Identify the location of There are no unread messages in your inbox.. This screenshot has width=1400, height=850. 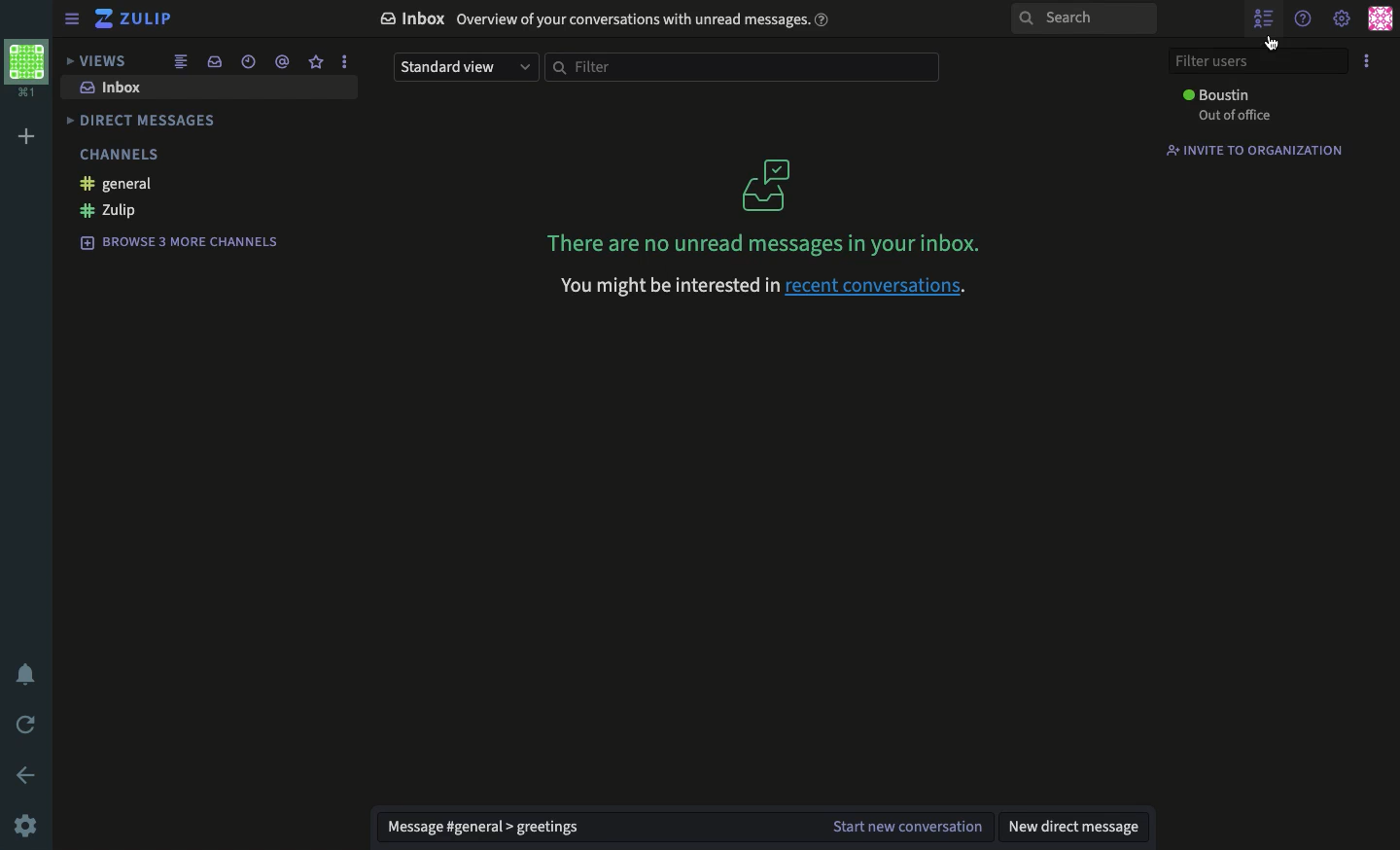
(762, 208).